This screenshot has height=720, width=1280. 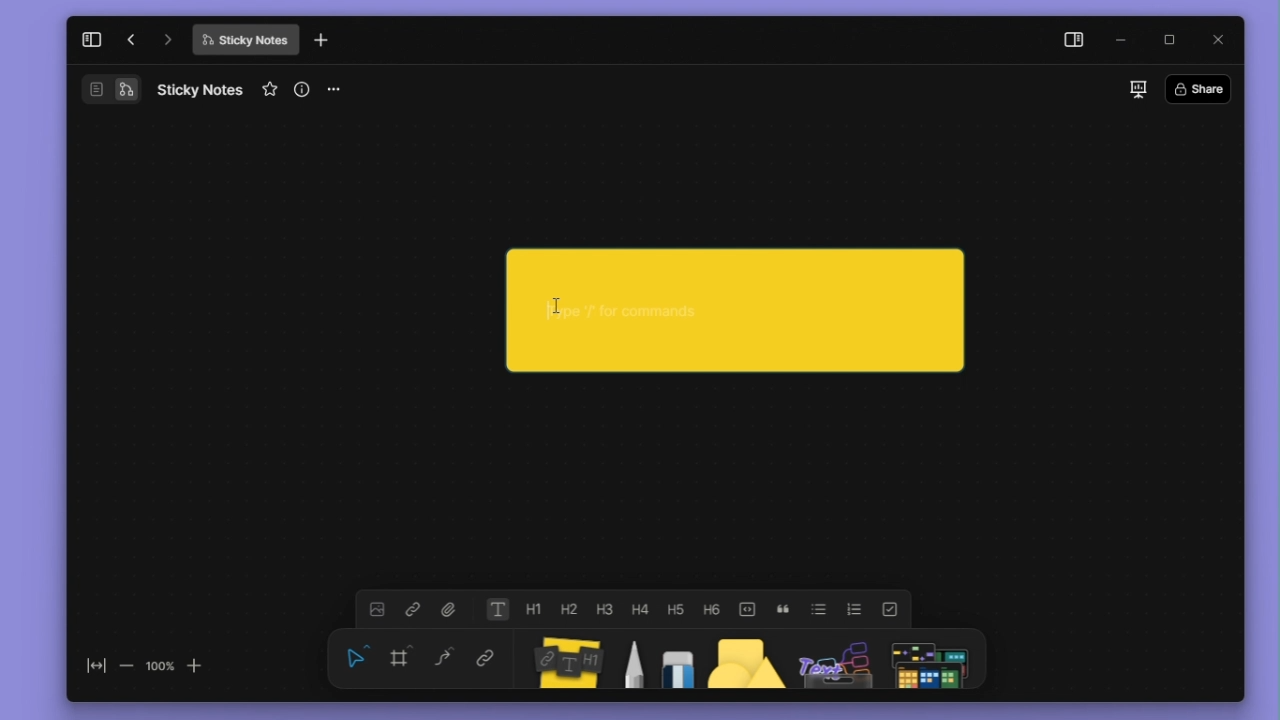 What do you see at coordinates (161, 662) in the screenshot?
I see `100%` at bounding box center [161, 662].